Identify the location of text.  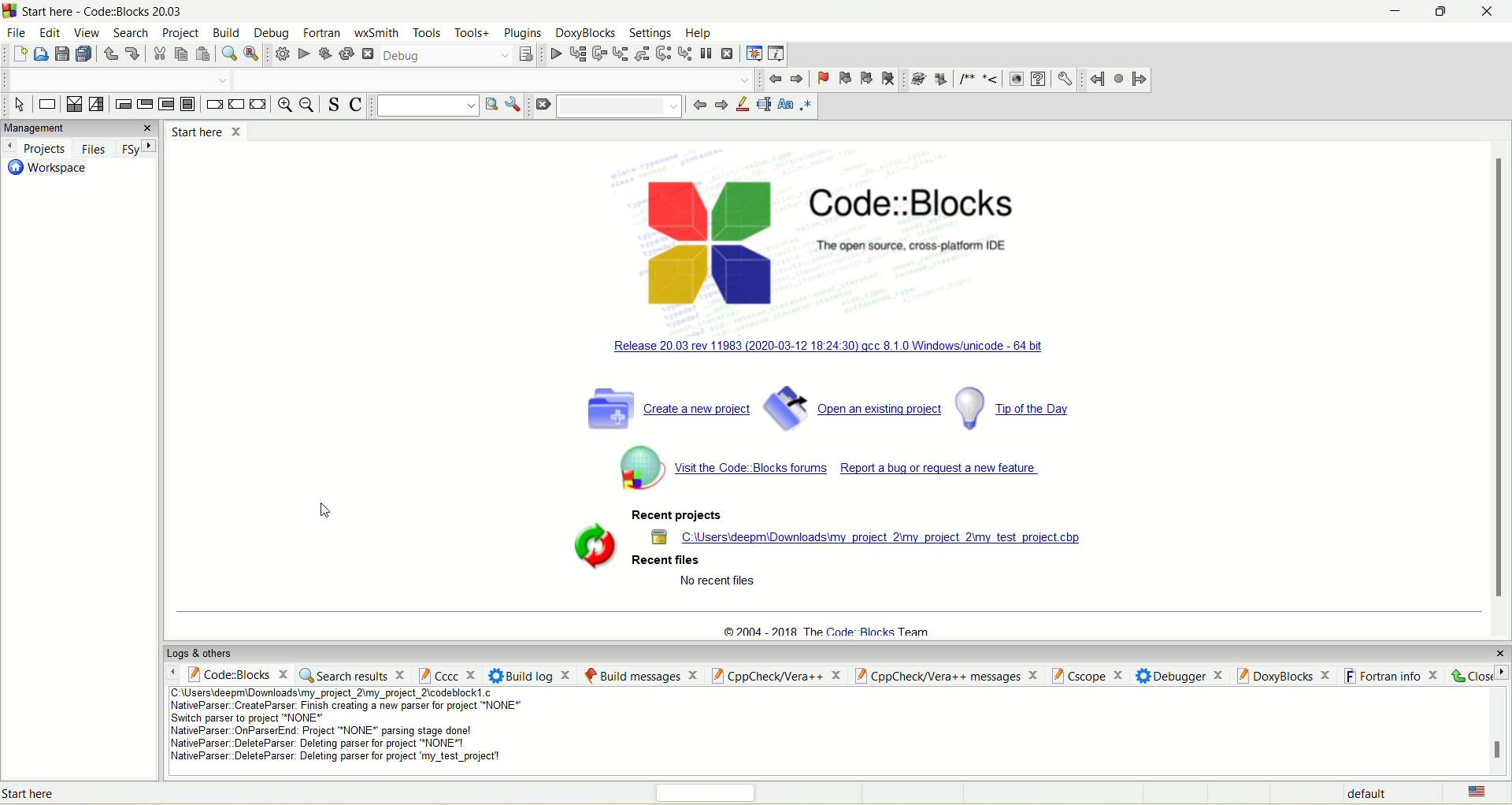
(726, 583).